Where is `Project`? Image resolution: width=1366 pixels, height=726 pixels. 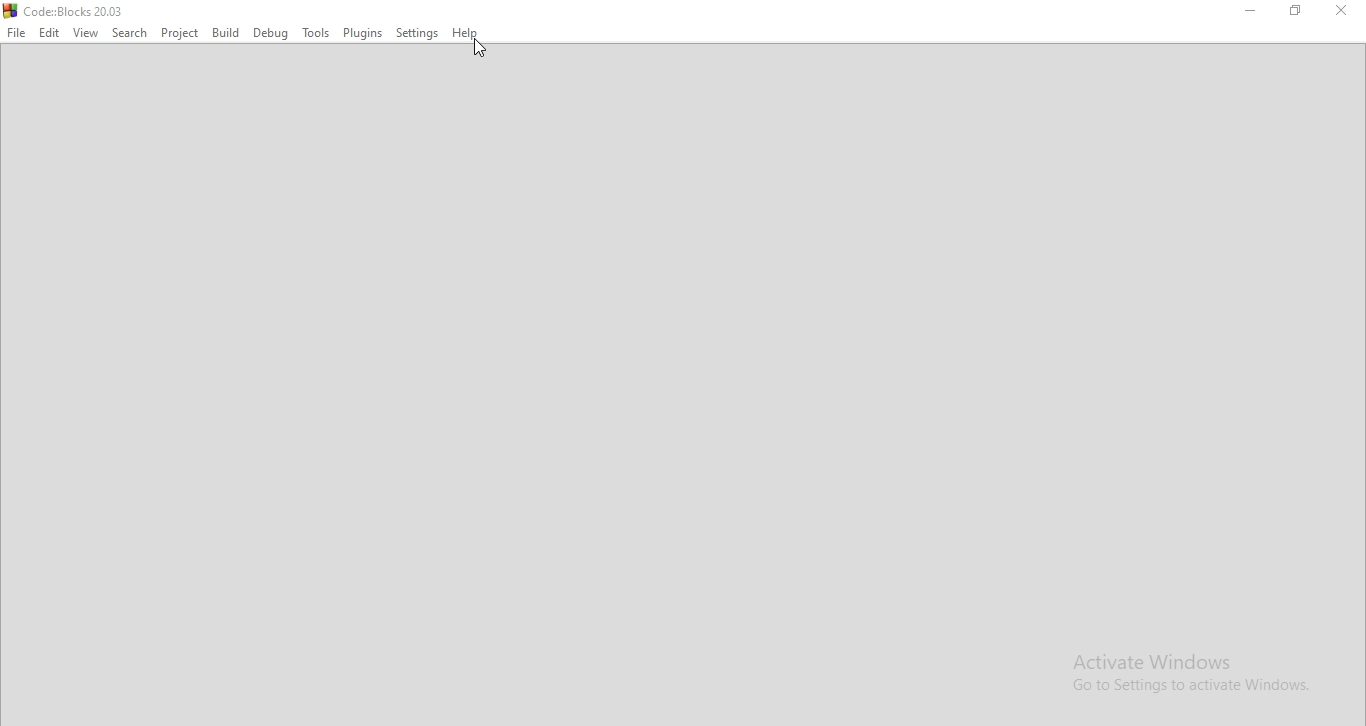
Project is located at coordinates (181, 33).